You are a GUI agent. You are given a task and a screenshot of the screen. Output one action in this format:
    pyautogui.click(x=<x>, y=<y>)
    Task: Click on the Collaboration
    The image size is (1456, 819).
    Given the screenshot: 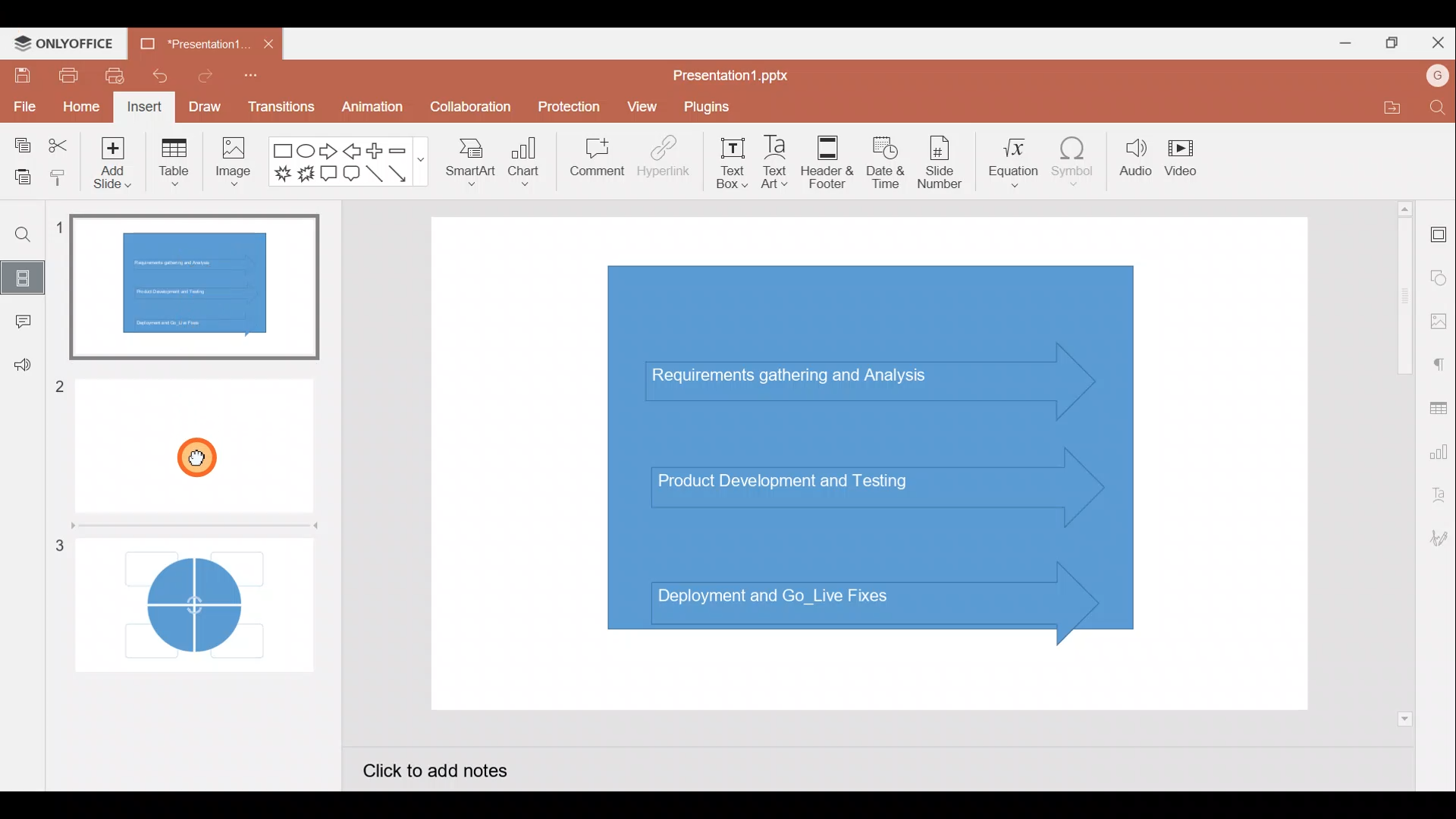 What is the action you would take?
    pyautogui.click(x=469, y=107)
    